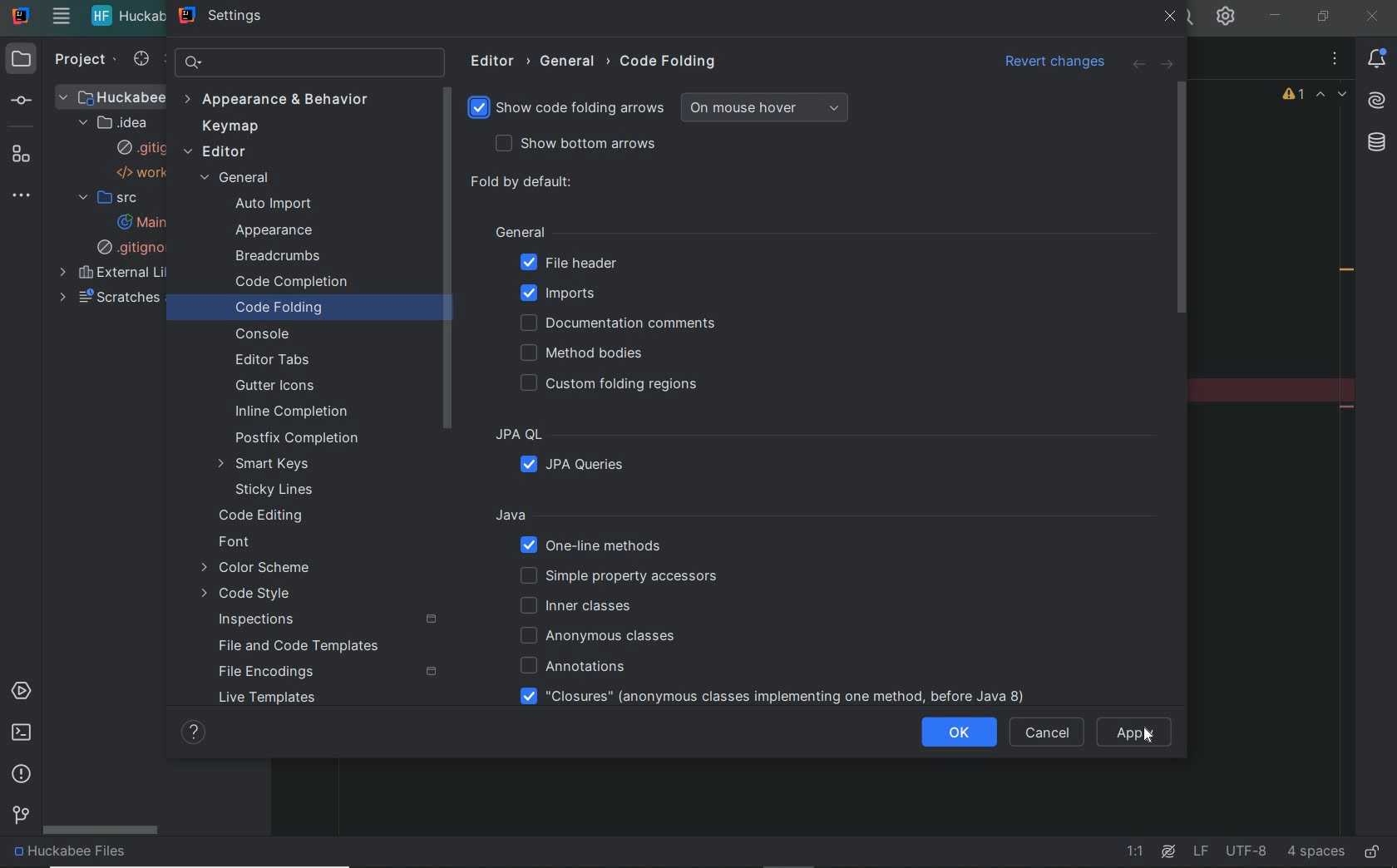  I want to click on .idea, so click(118, 122).